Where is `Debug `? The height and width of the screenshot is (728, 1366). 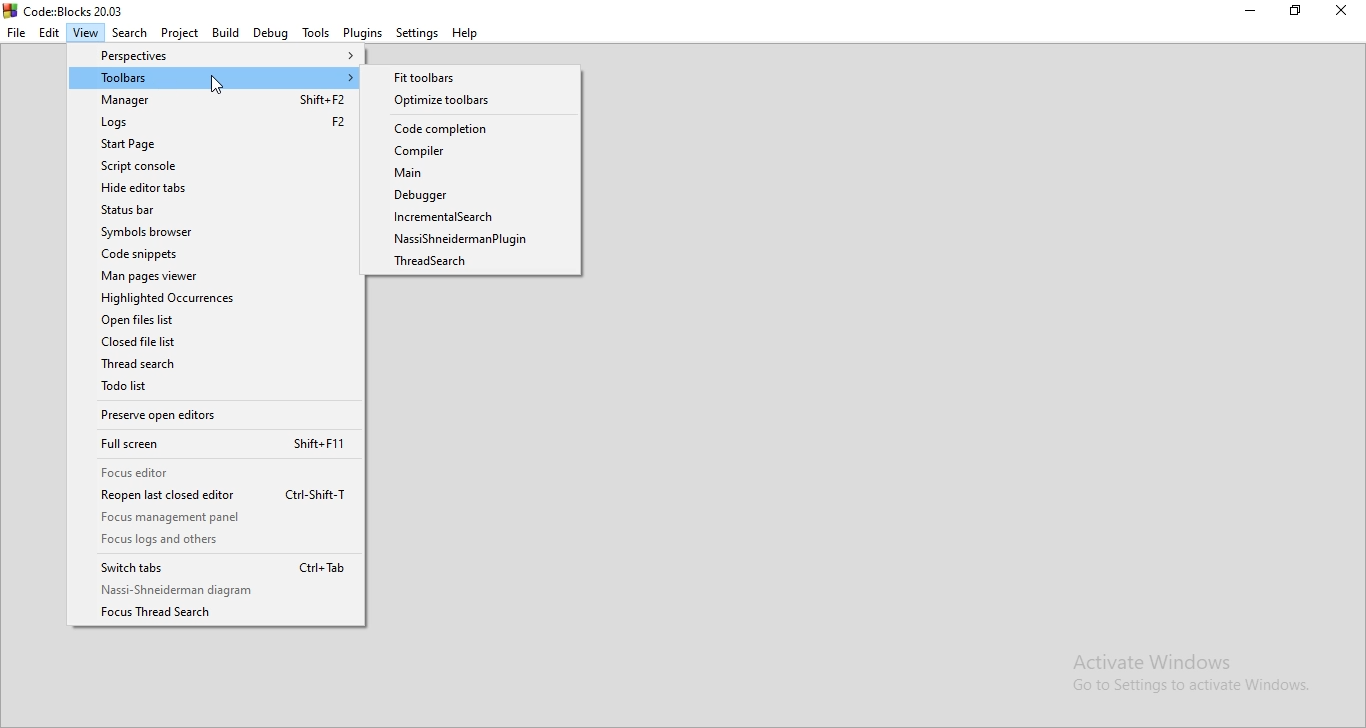
Debug  is located at coordinates (271, 32).